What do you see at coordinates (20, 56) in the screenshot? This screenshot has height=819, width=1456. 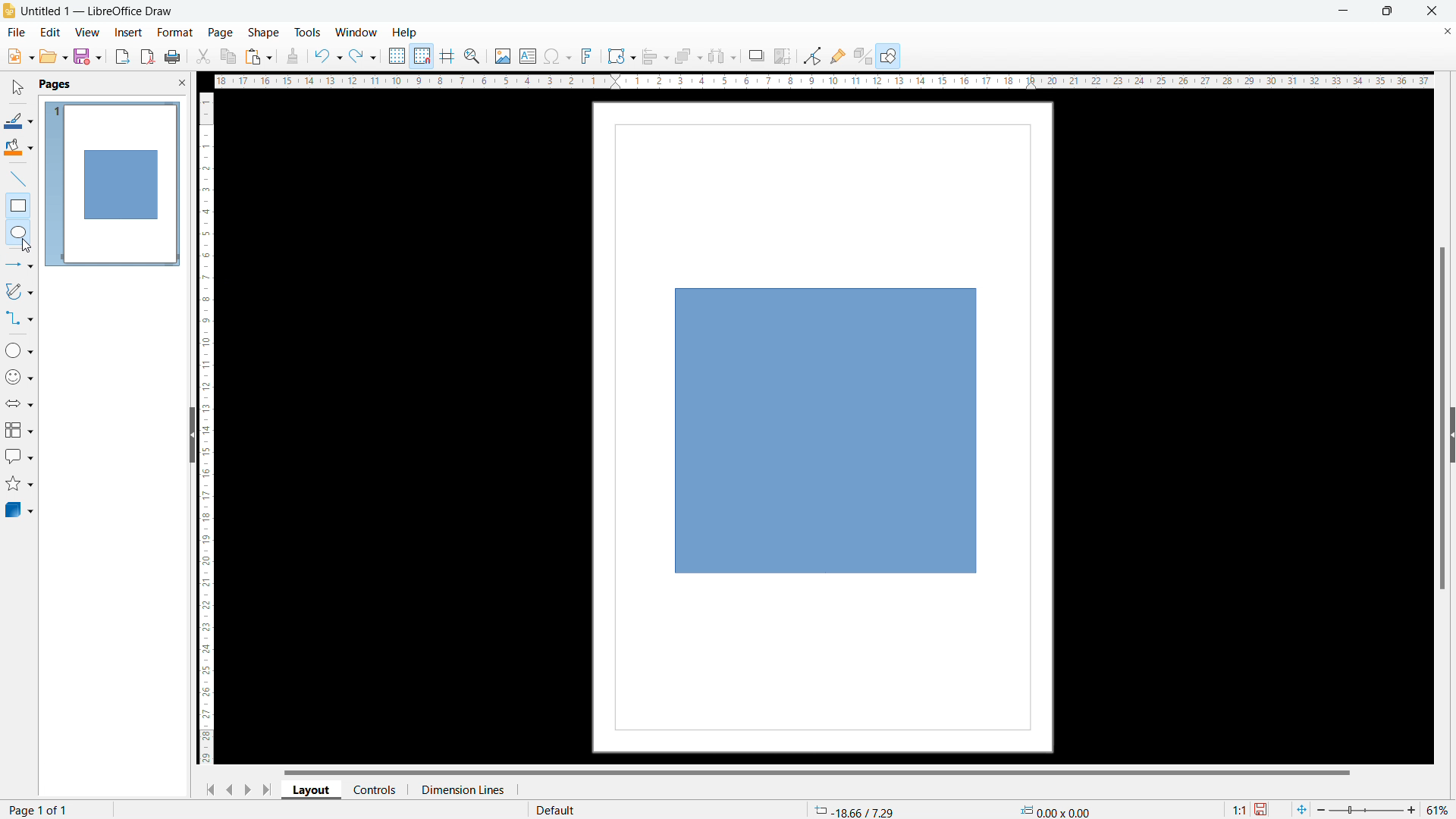 I see `new` at bounding box center [20, 56].